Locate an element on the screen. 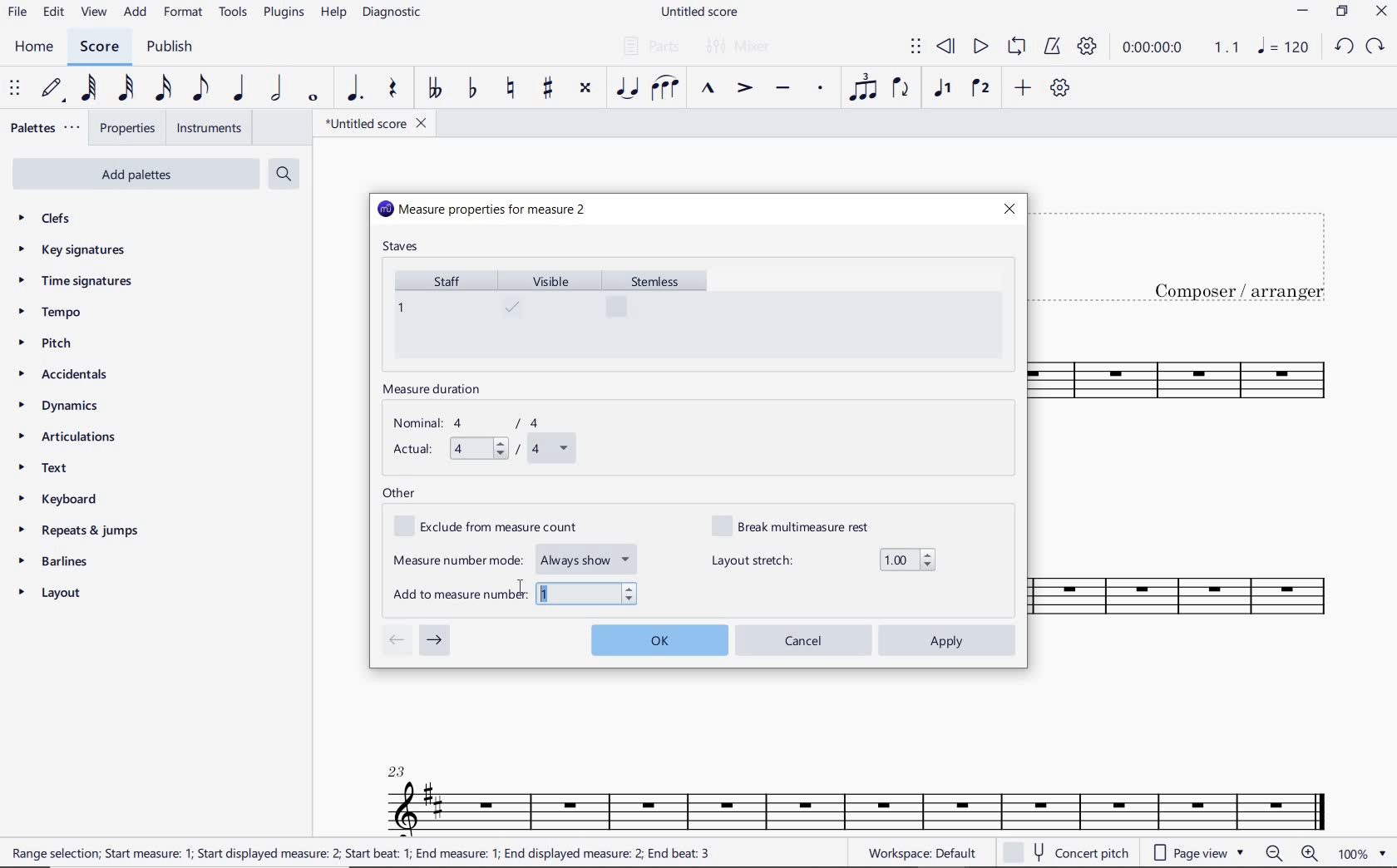 This screenshot has height=868, width=1397. KEY SIGNATURES is located at coordinates (77, 249).